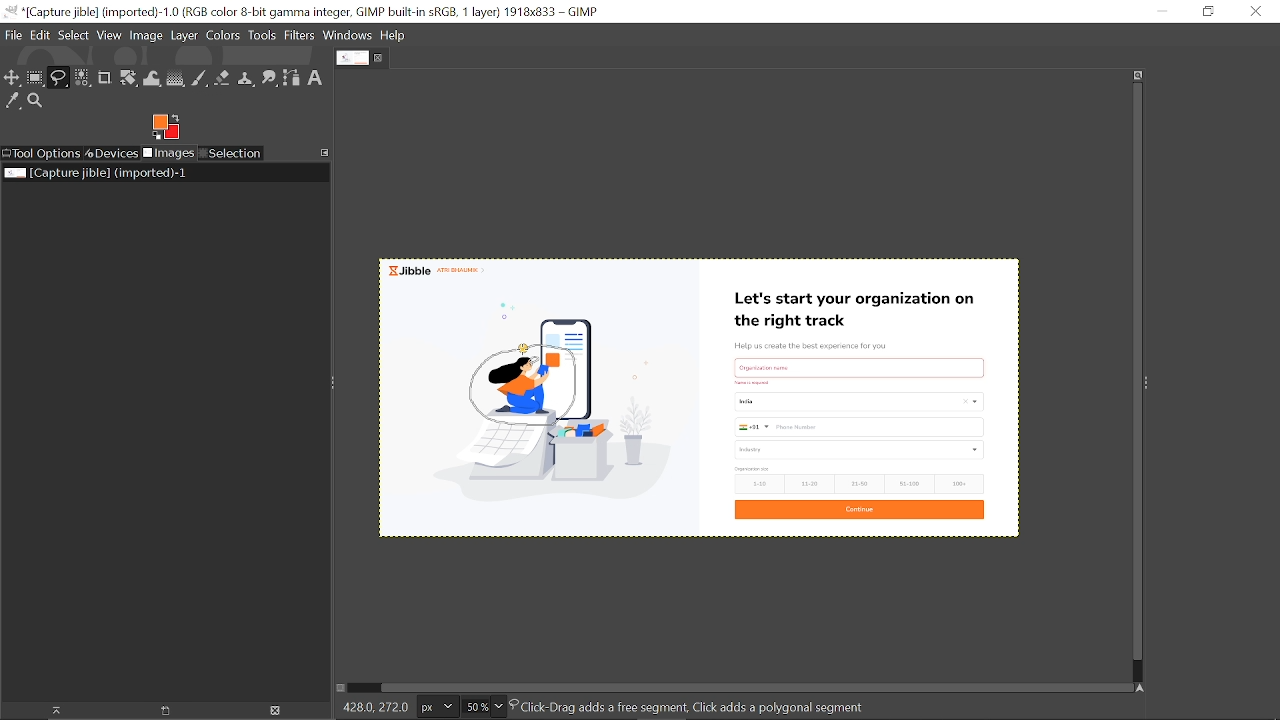 This screenshot has width=1280, height=720. I want to click on Zoom tool, so click(38, 103).